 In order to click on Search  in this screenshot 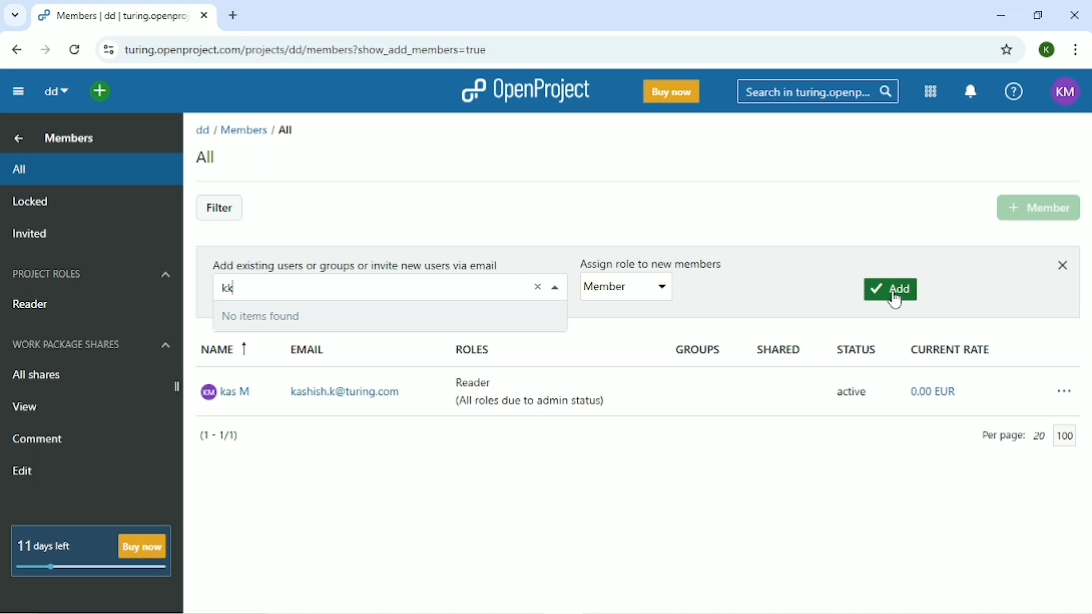, I will do `click(814, 92)`.